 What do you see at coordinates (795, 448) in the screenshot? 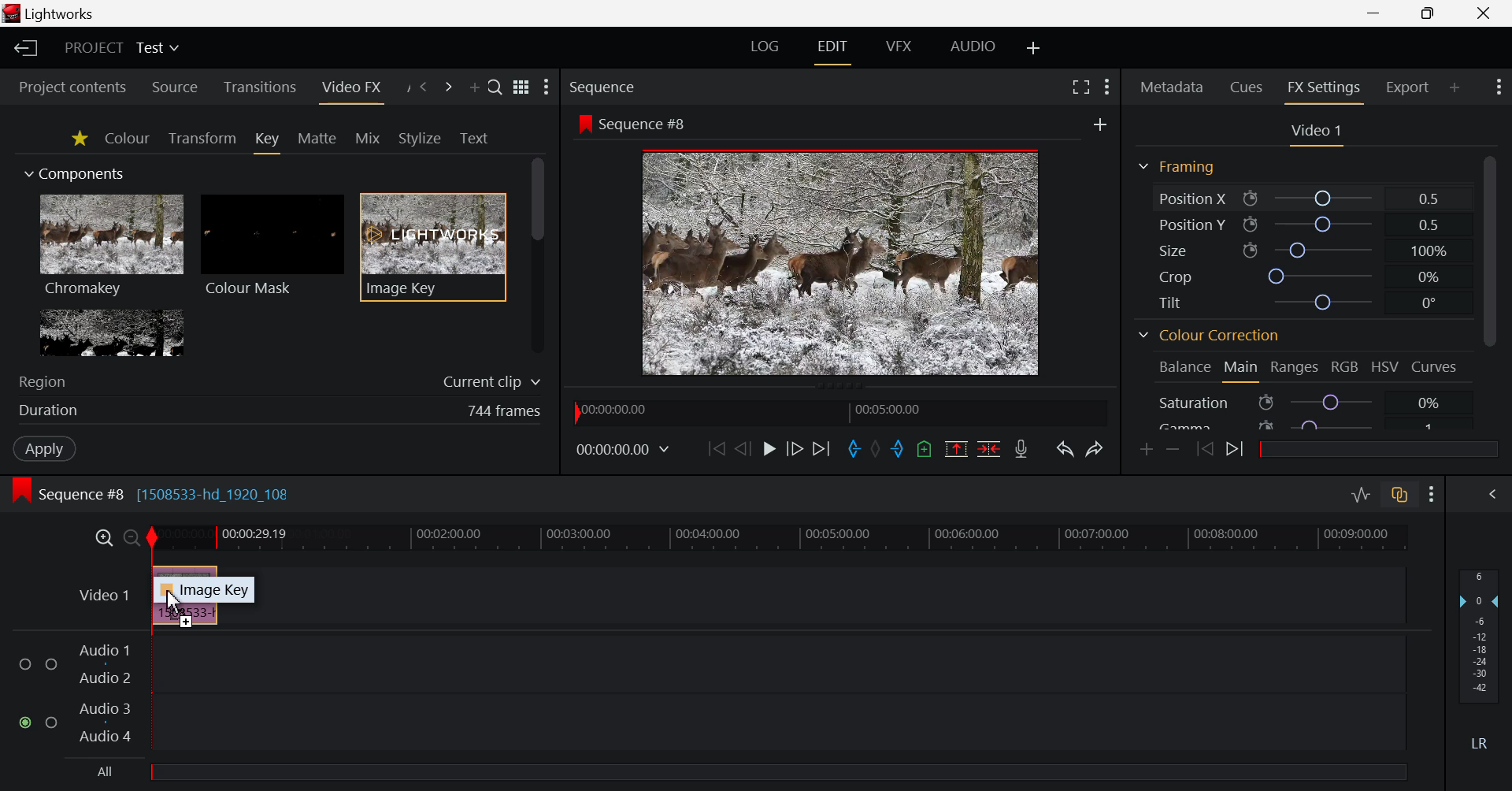
I see `Go Forward` at bounding box center [795, 448].